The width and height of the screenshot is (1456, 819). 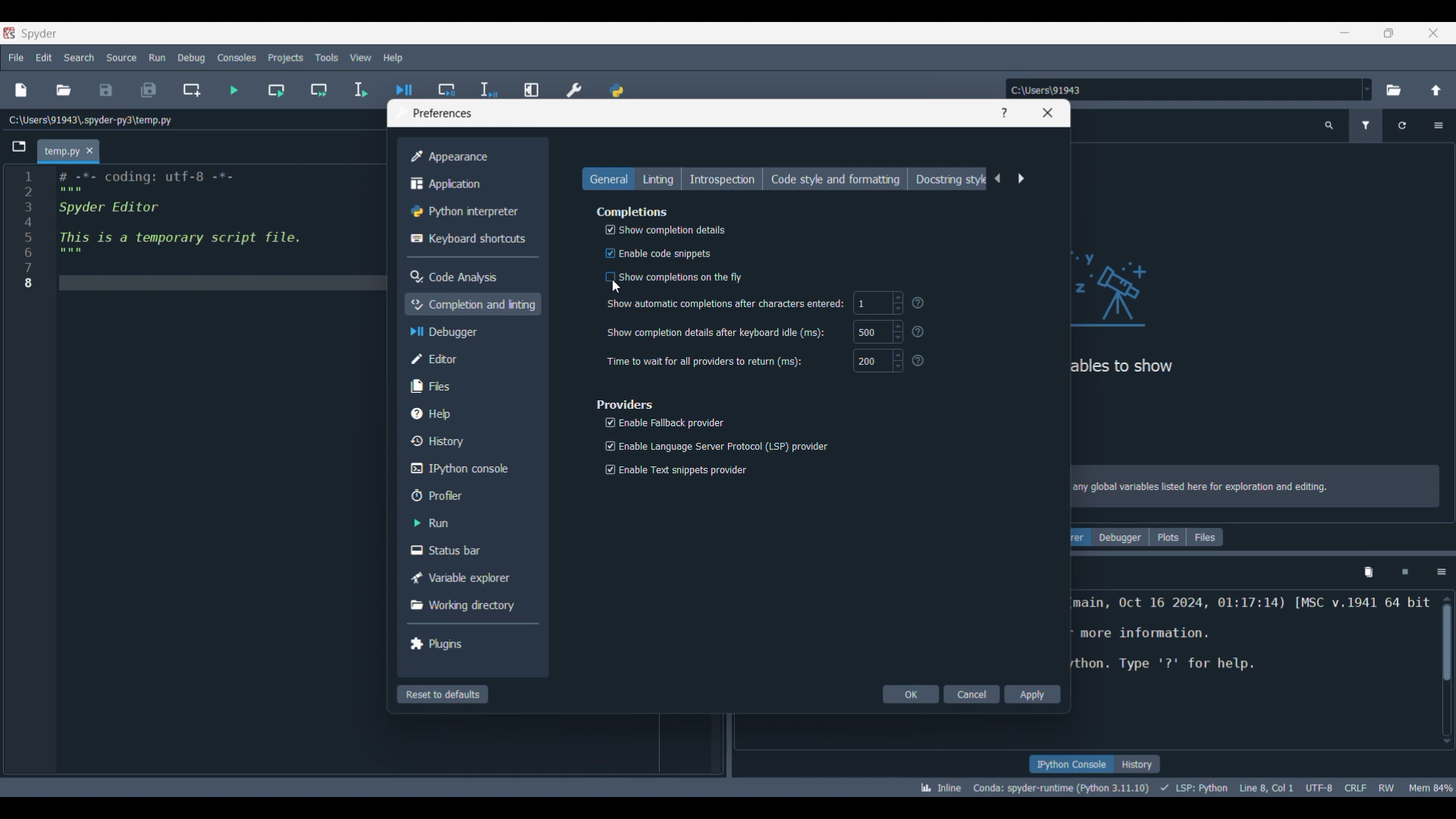 I want to click on History, so click(x=1137, y=764).